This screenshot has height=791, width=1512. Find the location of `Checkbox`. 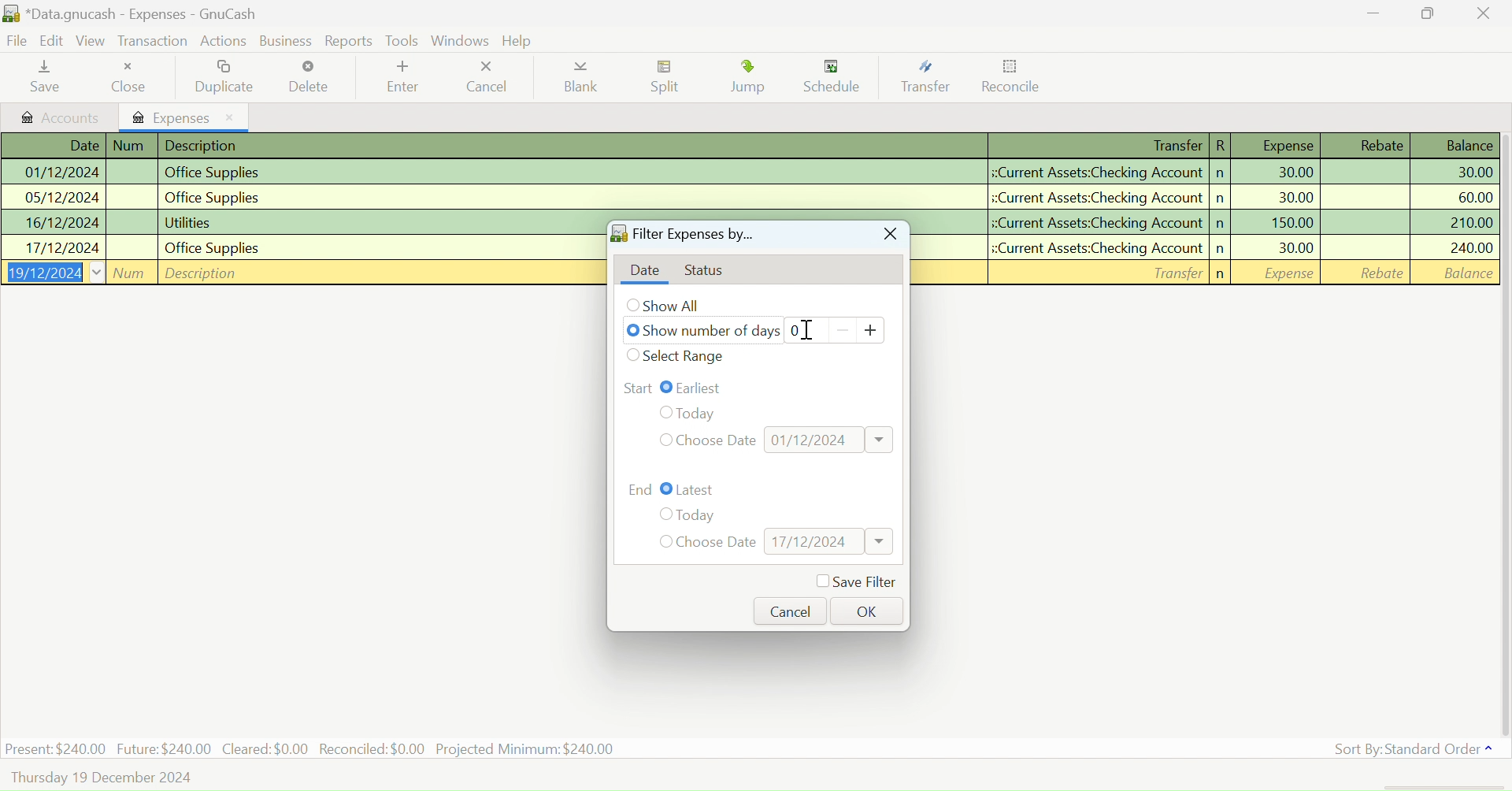

Checkbox is located at coordinates (633, 305).